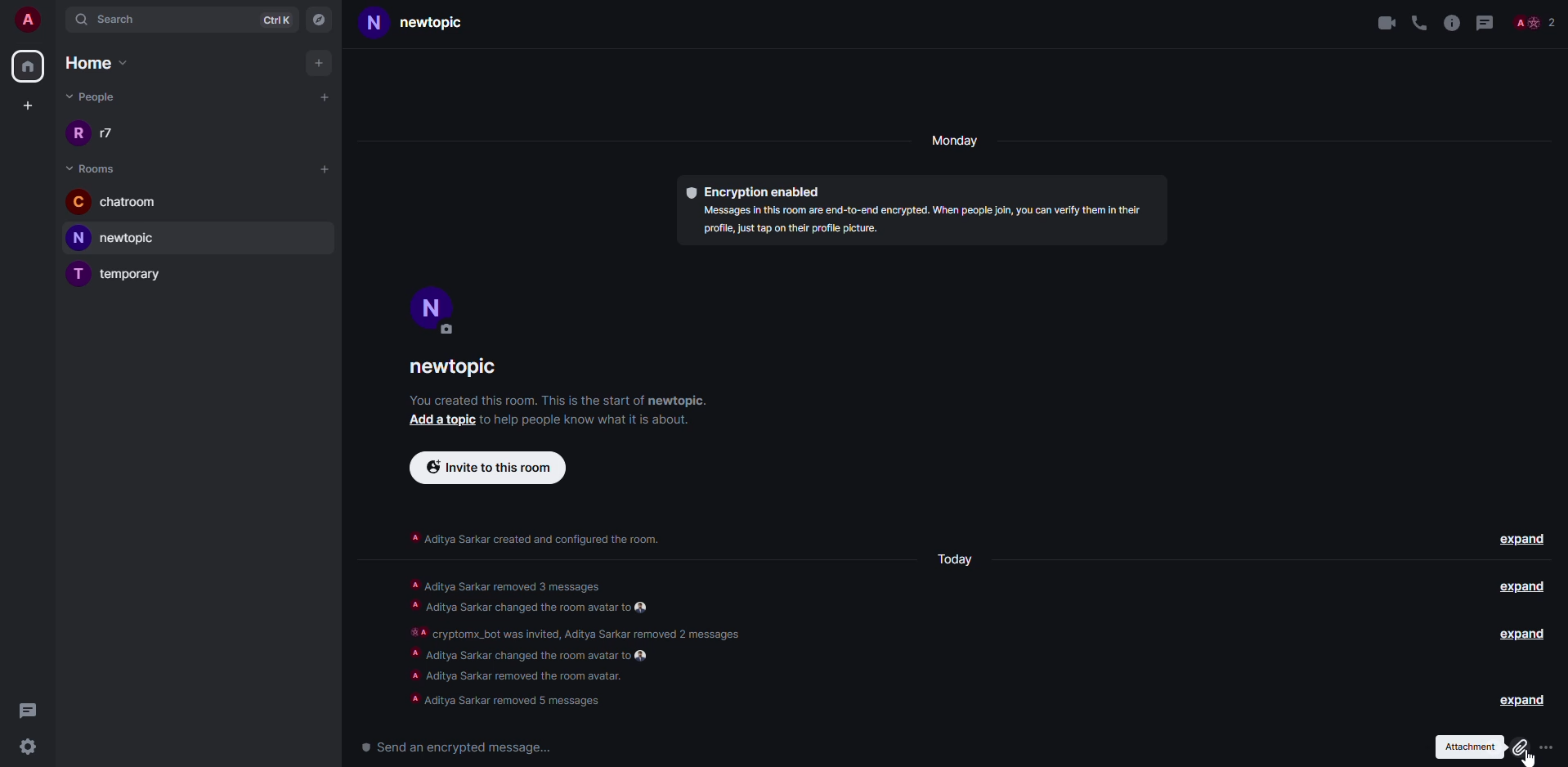 The width and height of the screenshot is (1568, 767). Describe the element at coordinates (1552, 747) in the screenshot. I see `attach` at that location.